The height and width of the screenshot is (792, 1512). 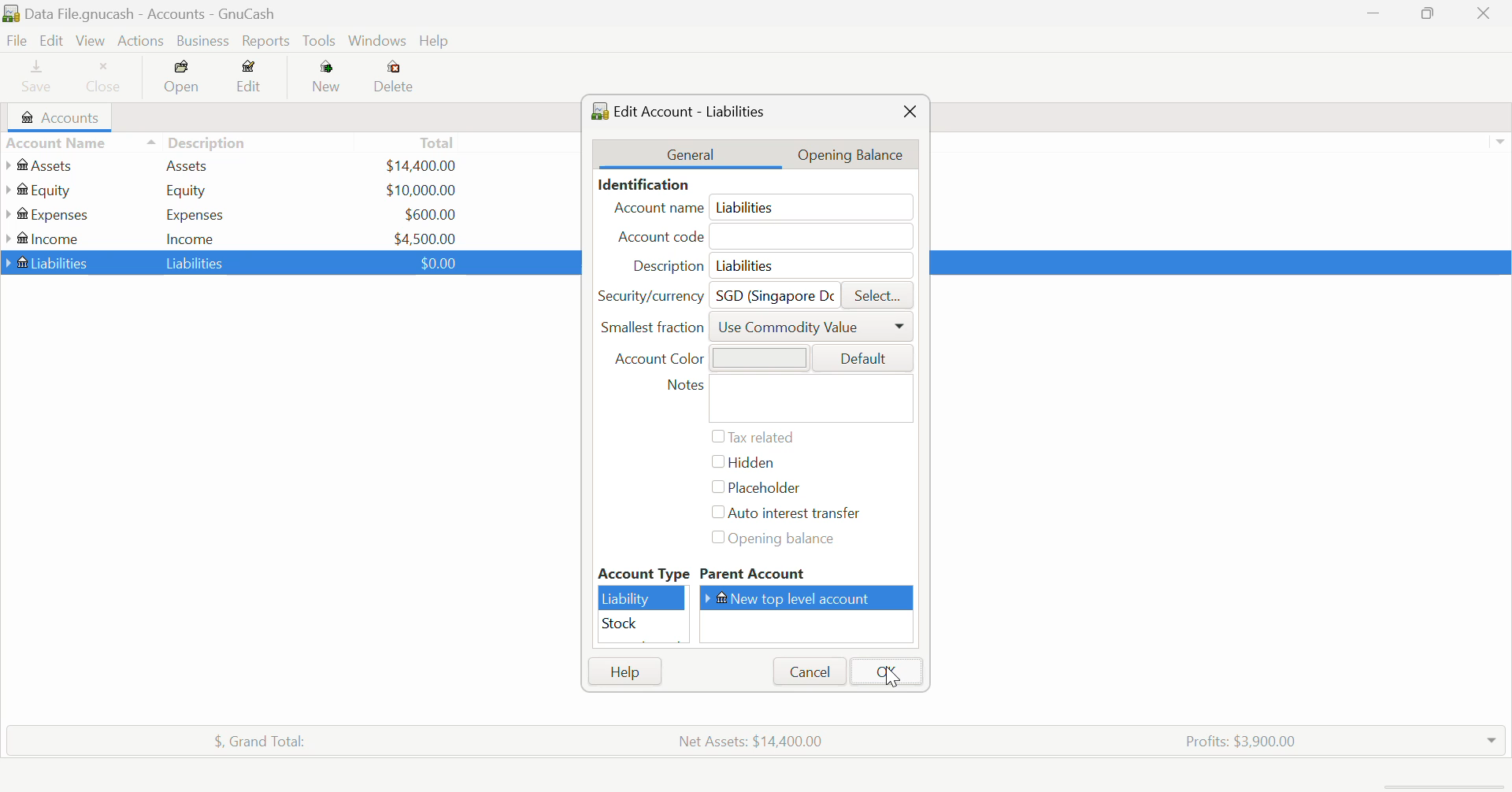 What do you see at coordinates (189, 190) in the screenshot?
I see `Equity` at bounding box center [189, 190].